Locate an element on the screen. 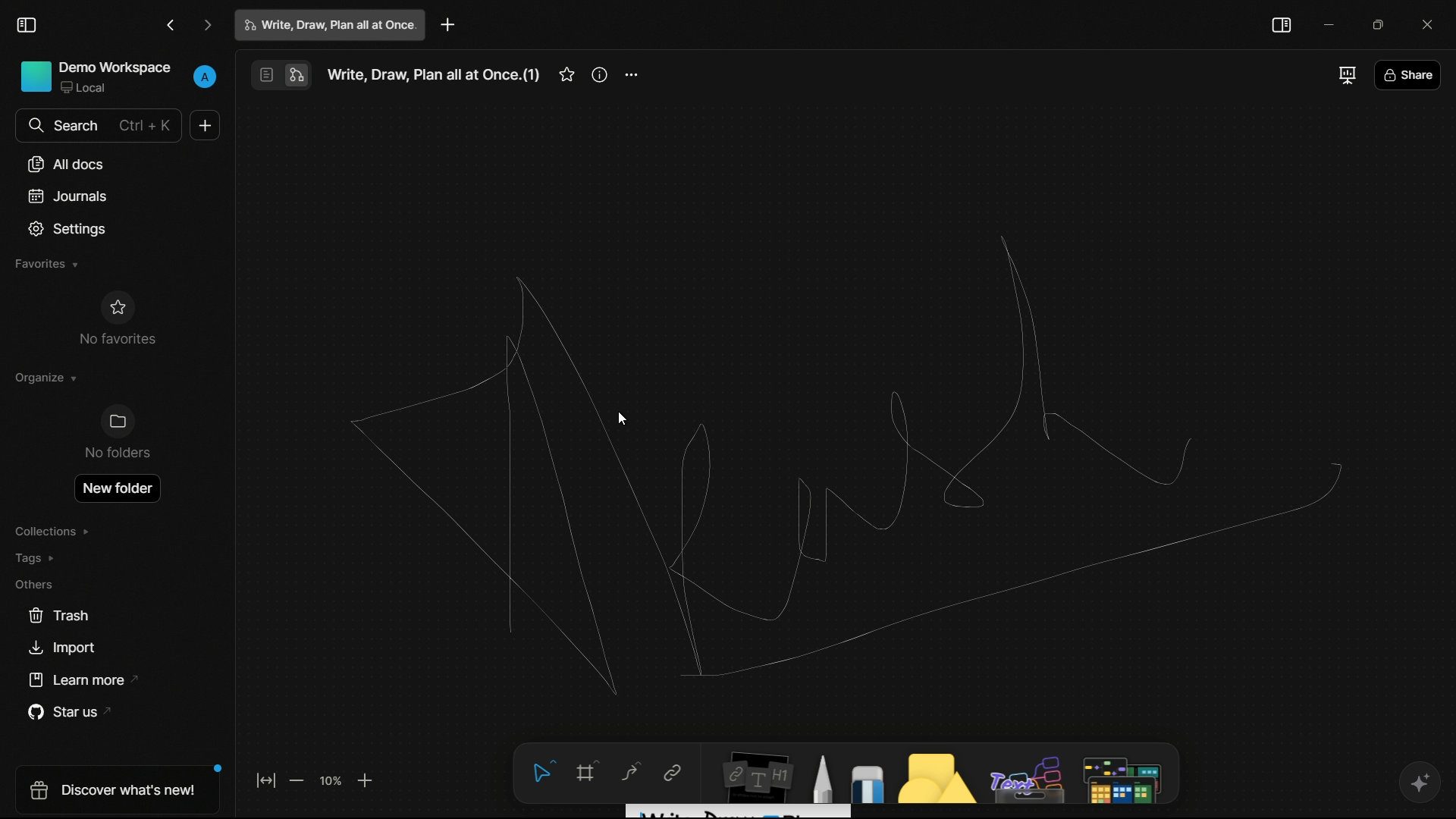 The width and height of the screenshot is (1456, 819). Local is located at coordinates (95, 87).